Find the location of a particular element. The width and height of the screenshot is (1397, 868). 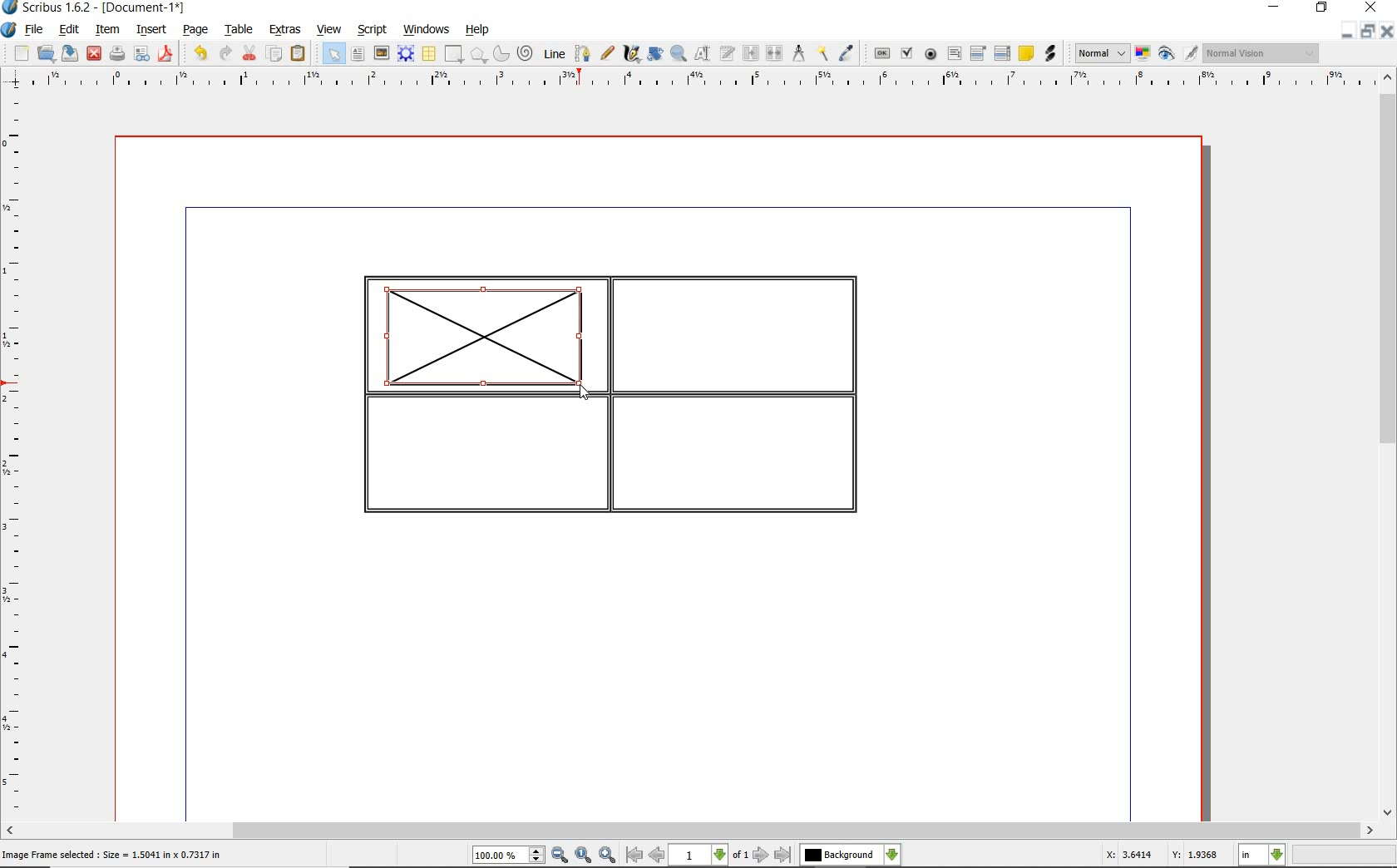

toggle color management system is located at coordinates (1144, 55).